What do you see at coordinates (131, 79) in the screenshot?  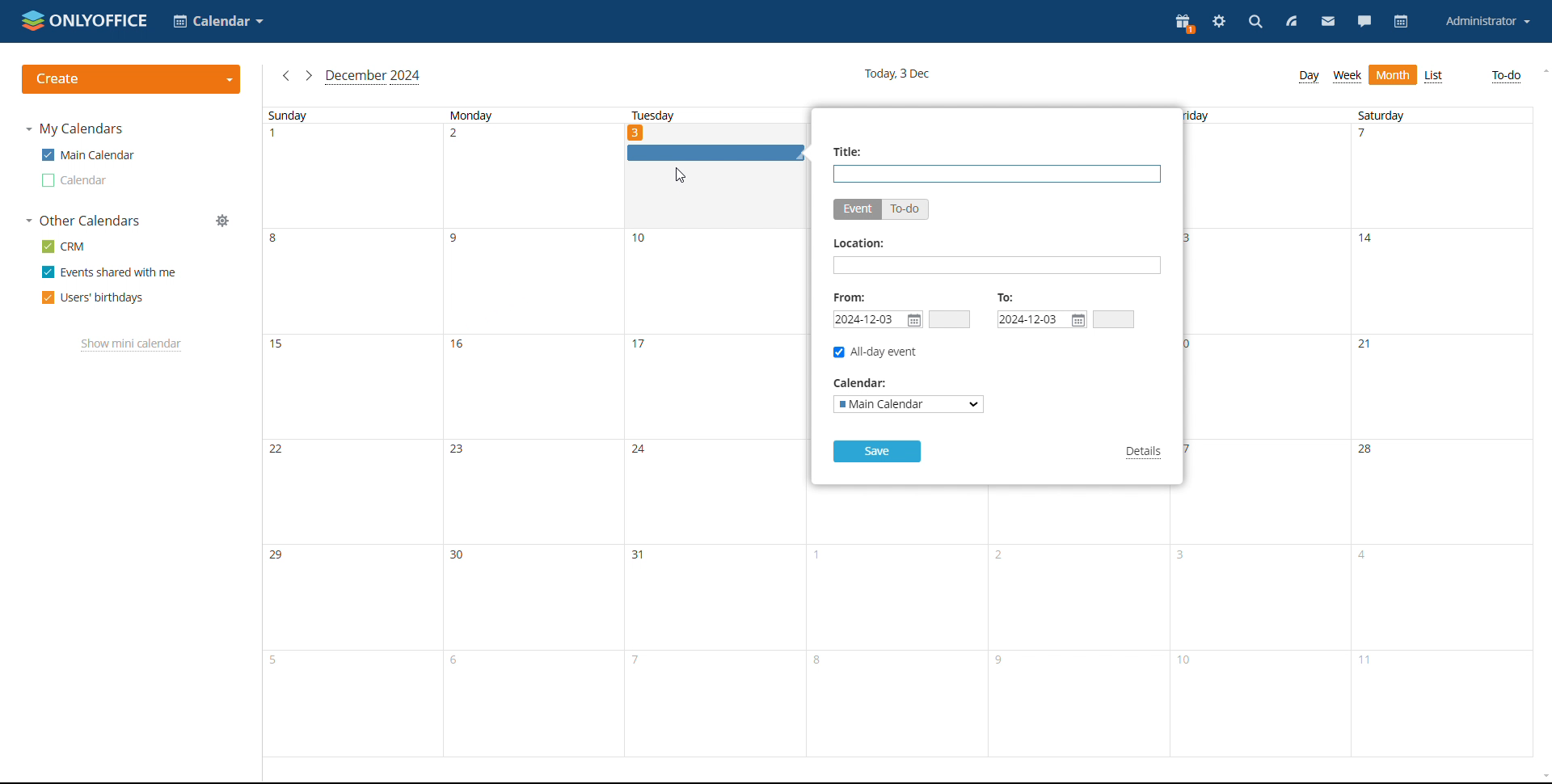 I see `create` at bounding box center [131, 79].